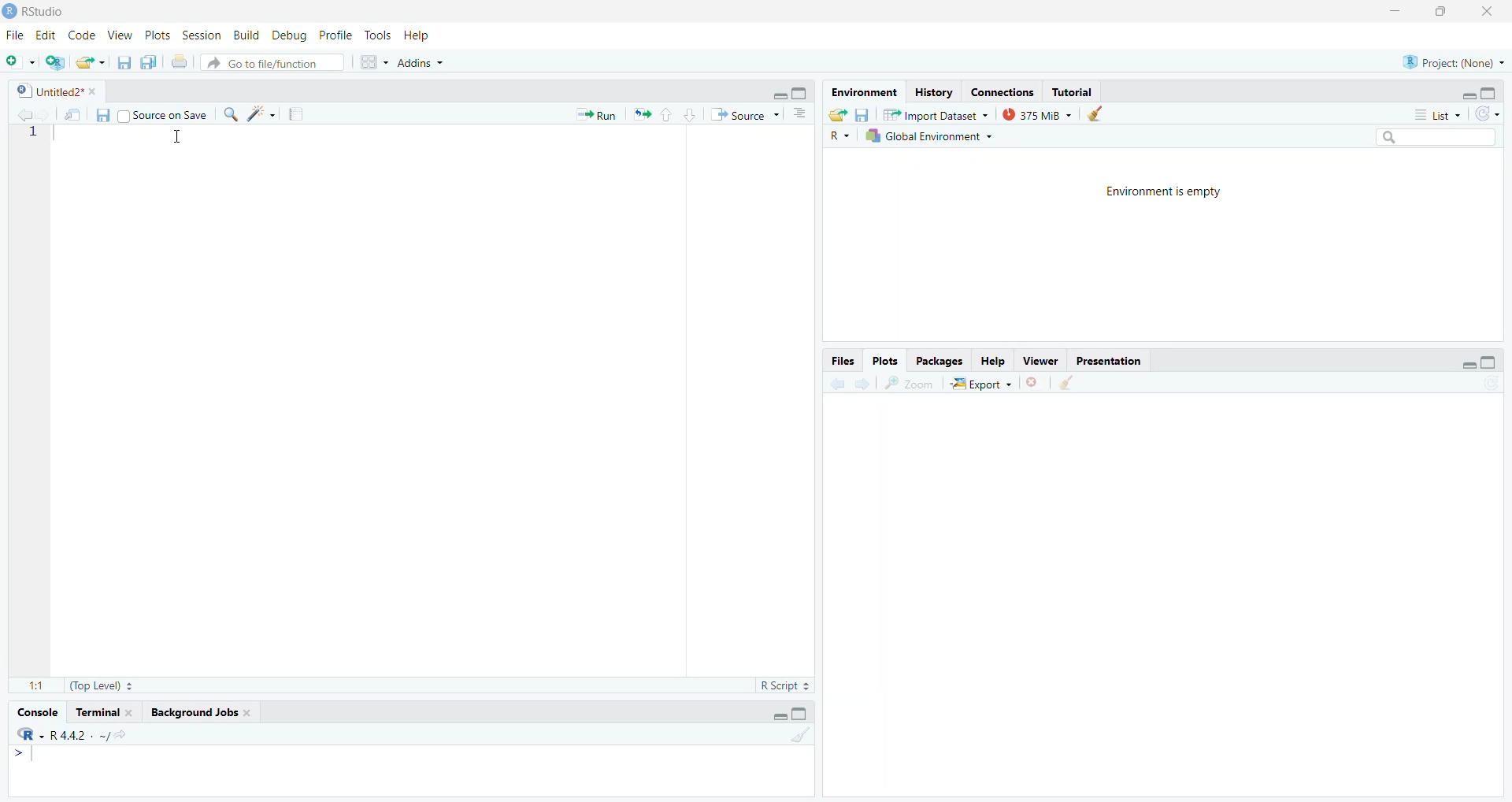 Image resolution: width=1512 pixels, height=802 pixels. What do you see at coordinates (1440, 13) in the screenshot?
I see `maximize` at bounding box center [1440, 13].